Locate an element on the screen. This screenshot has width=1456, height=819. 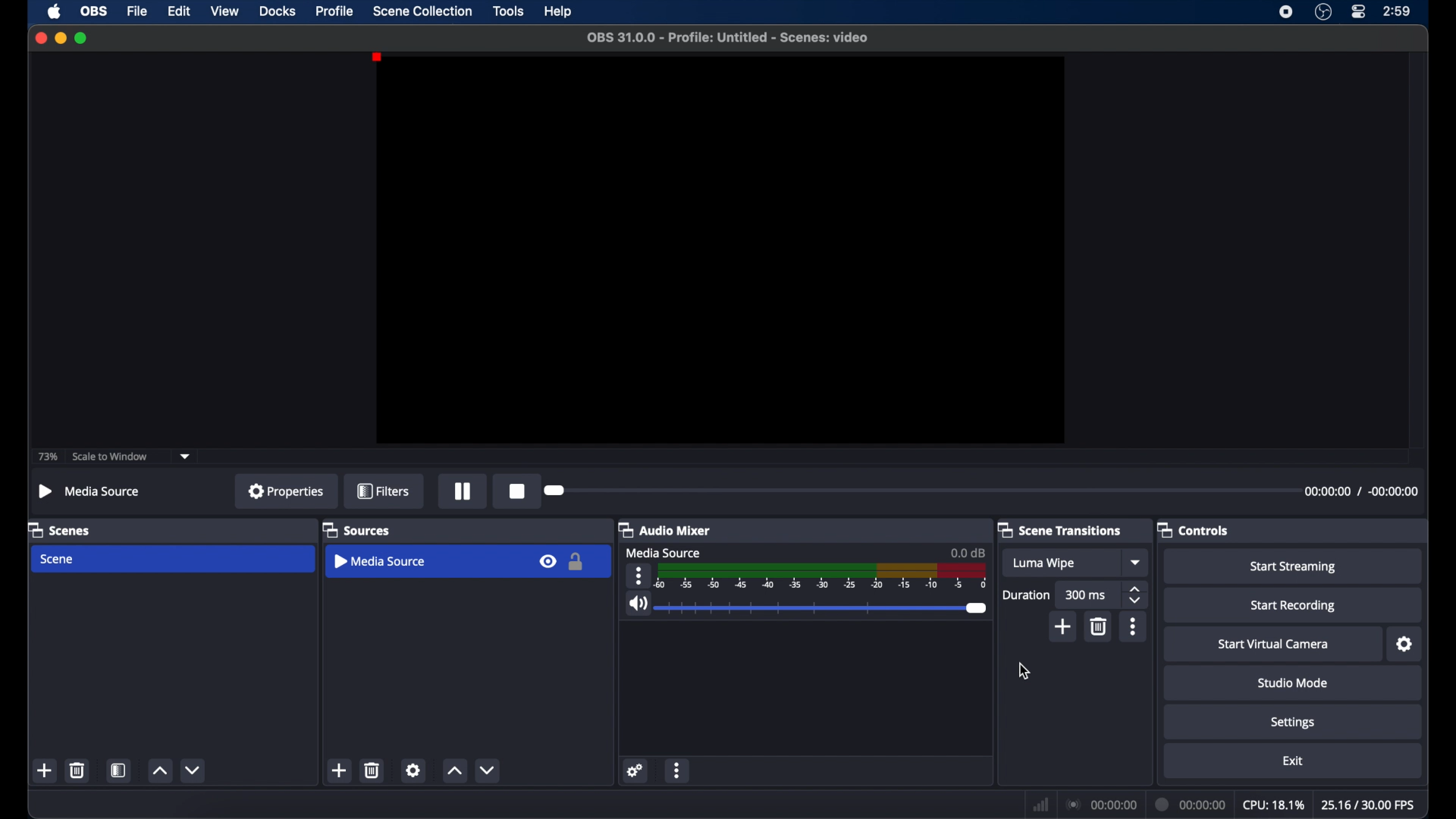
scale to window is located at coordinates (112, 456).